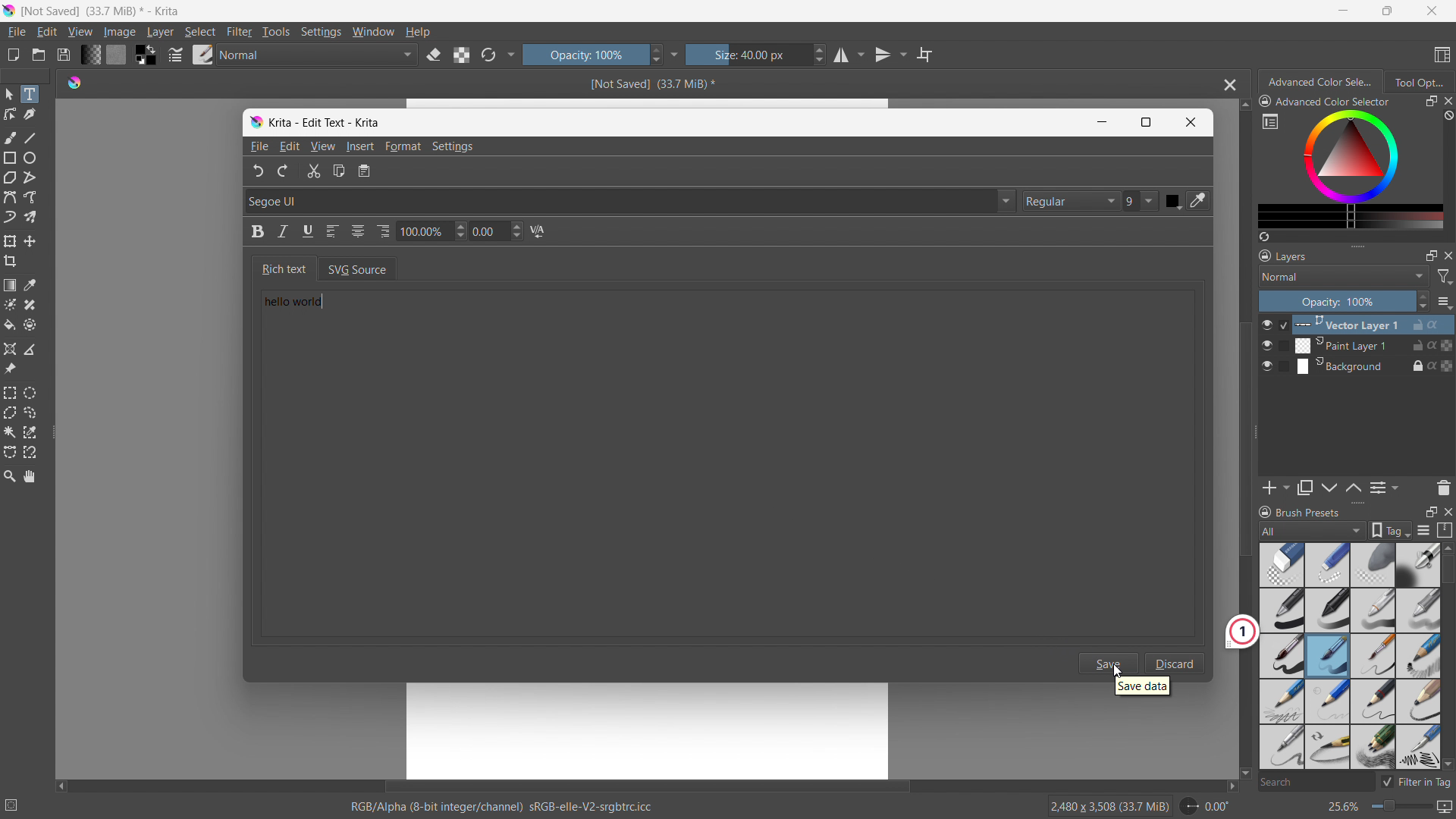 The width and height of the screenshot is (1456, 819). Describe the element at coordinates (10, 369) in the screenshot. I see `reference images tool` at that location.